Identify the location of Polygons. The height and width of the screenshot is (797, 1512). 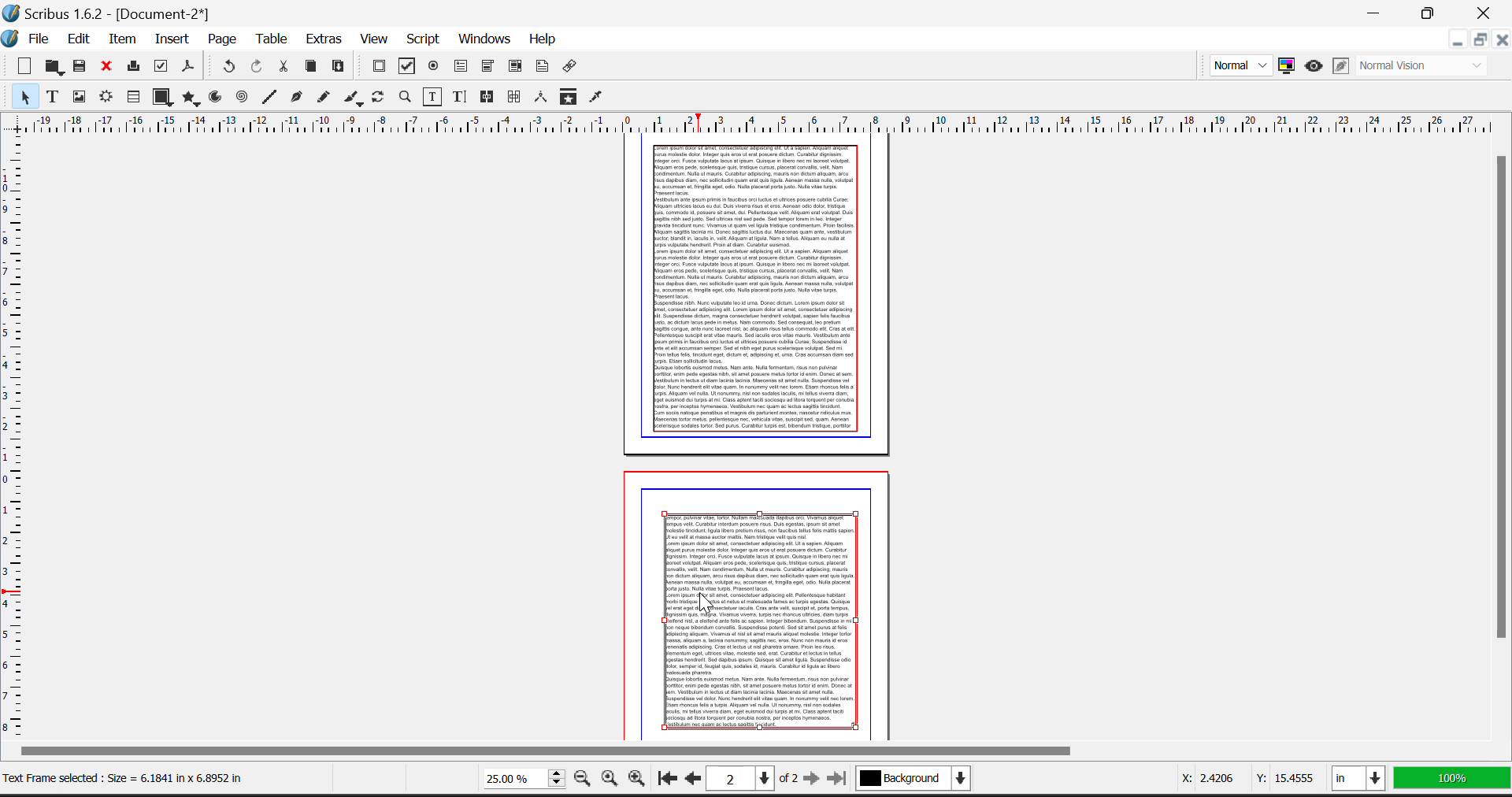
(190, 98).